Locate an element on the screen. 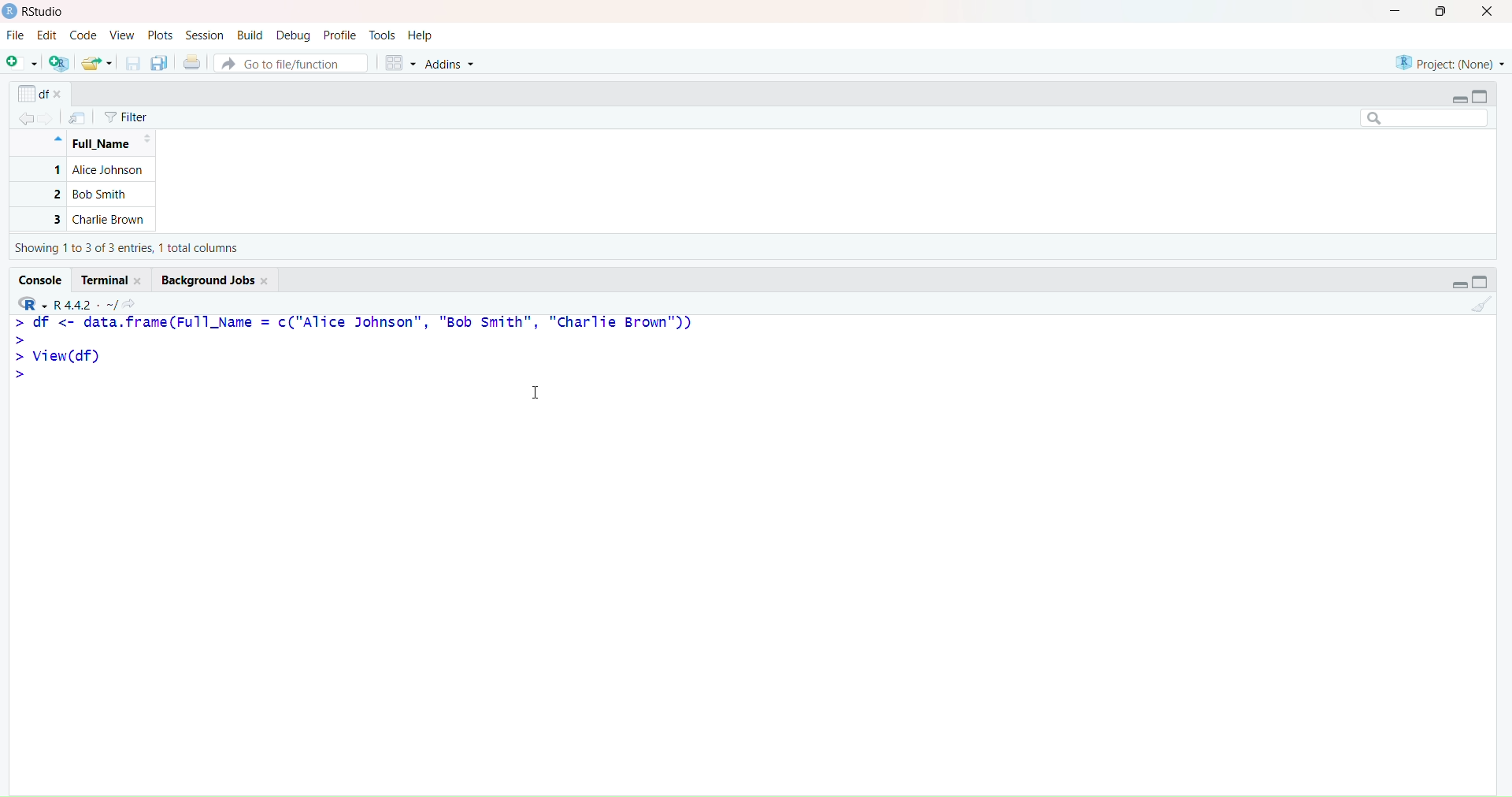 The height and width of the screenshot is (797, 1512). Workspace panes is located at coordinates (400, 63).